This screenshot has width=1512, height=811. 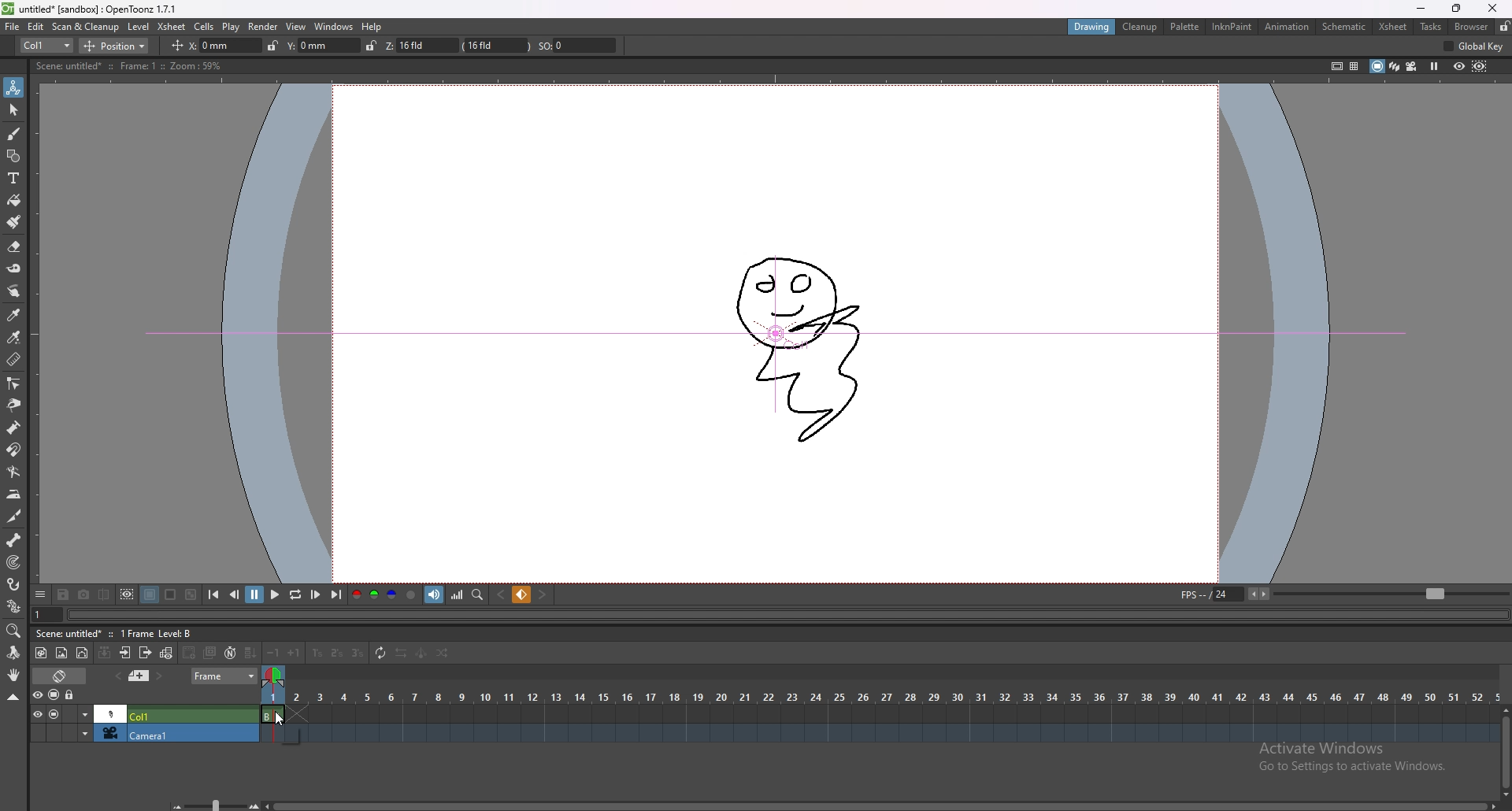 What do you see at coordinates (542, 595) in the screenshot?
I see `next key` at bounding box center [542, 595].